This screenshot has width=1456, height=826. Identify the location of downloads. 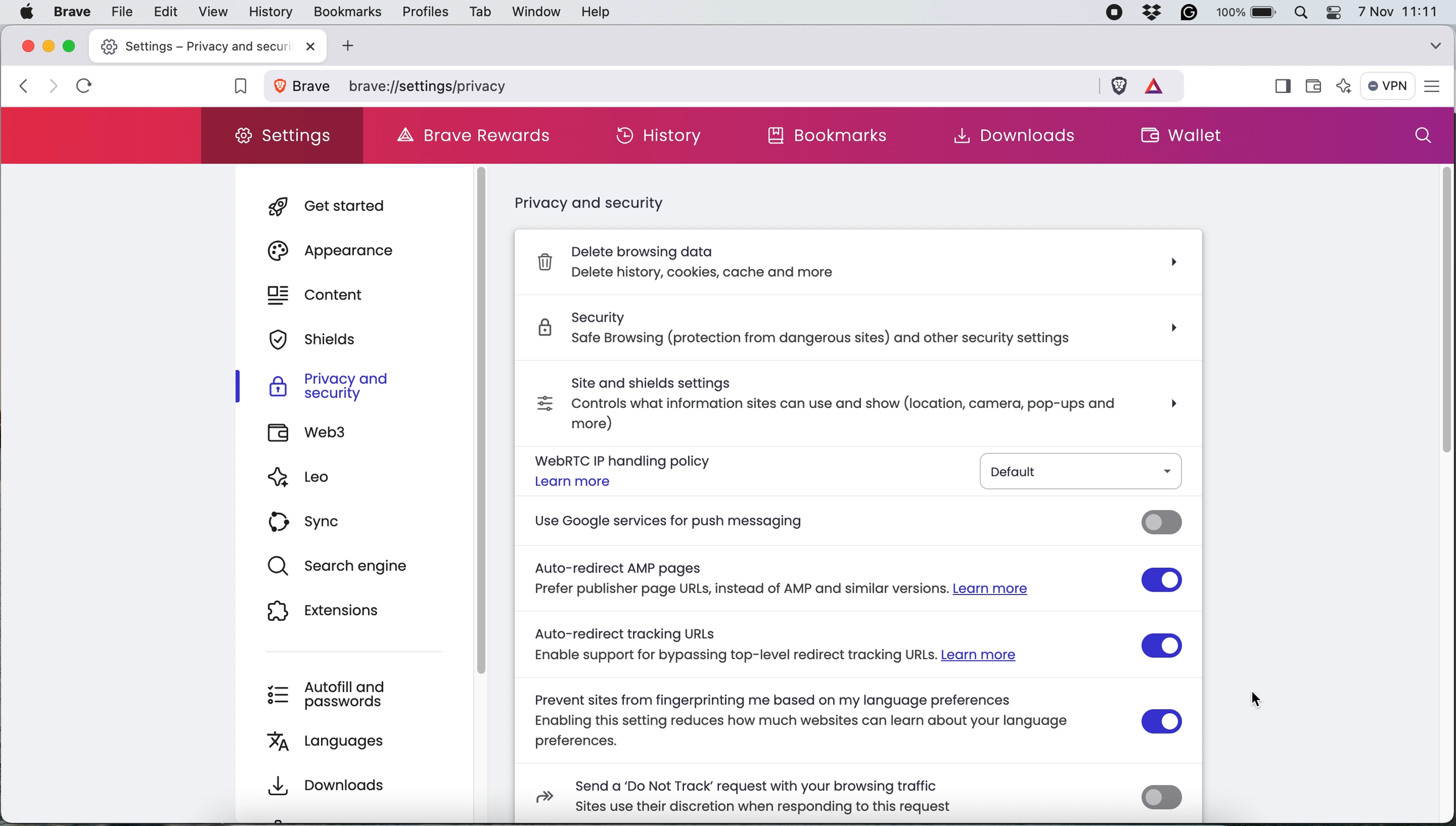
(326, 782).